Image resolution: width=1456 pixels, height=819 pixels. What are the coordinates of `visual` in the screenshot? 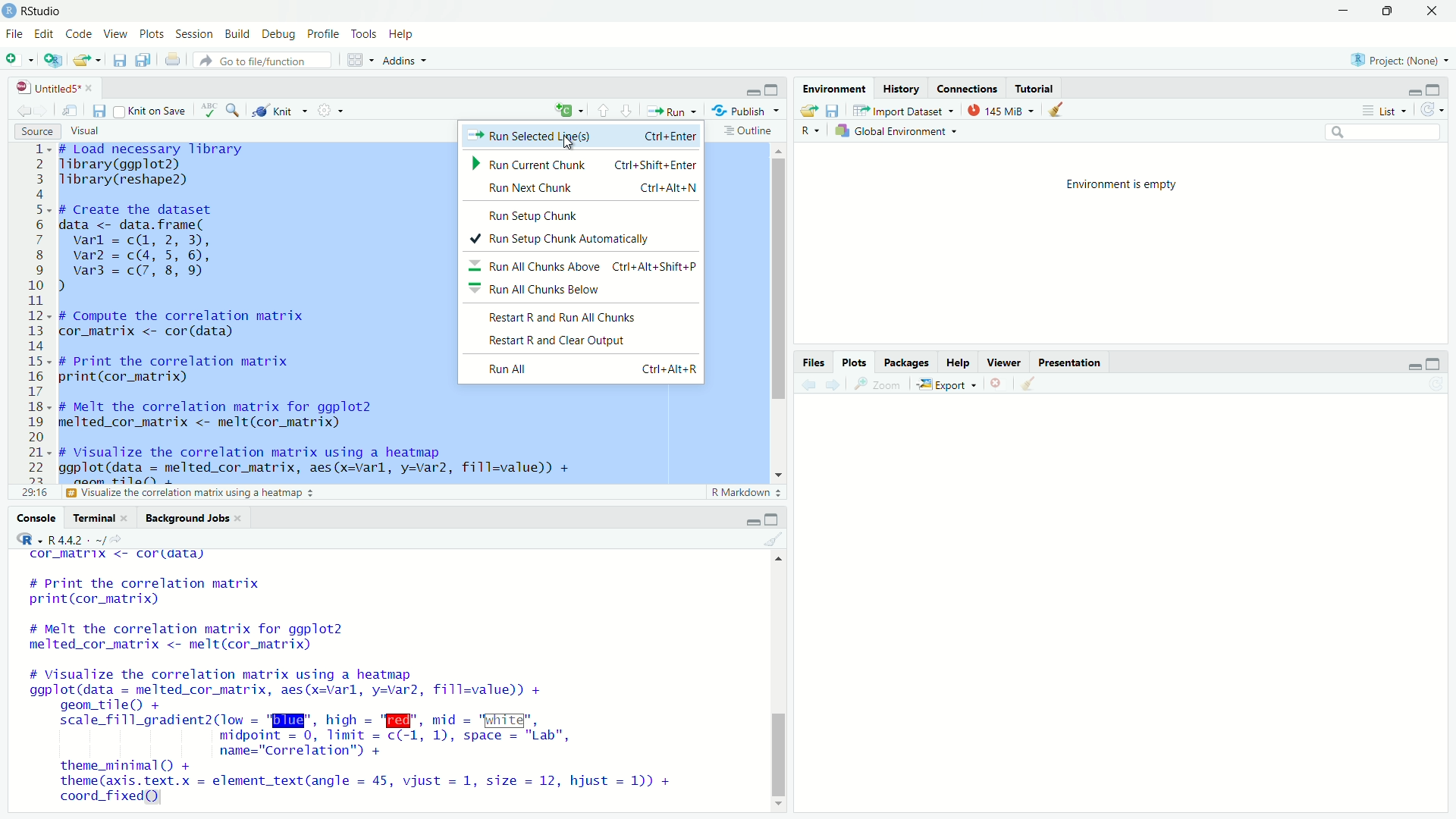 It's located at (86, 131).